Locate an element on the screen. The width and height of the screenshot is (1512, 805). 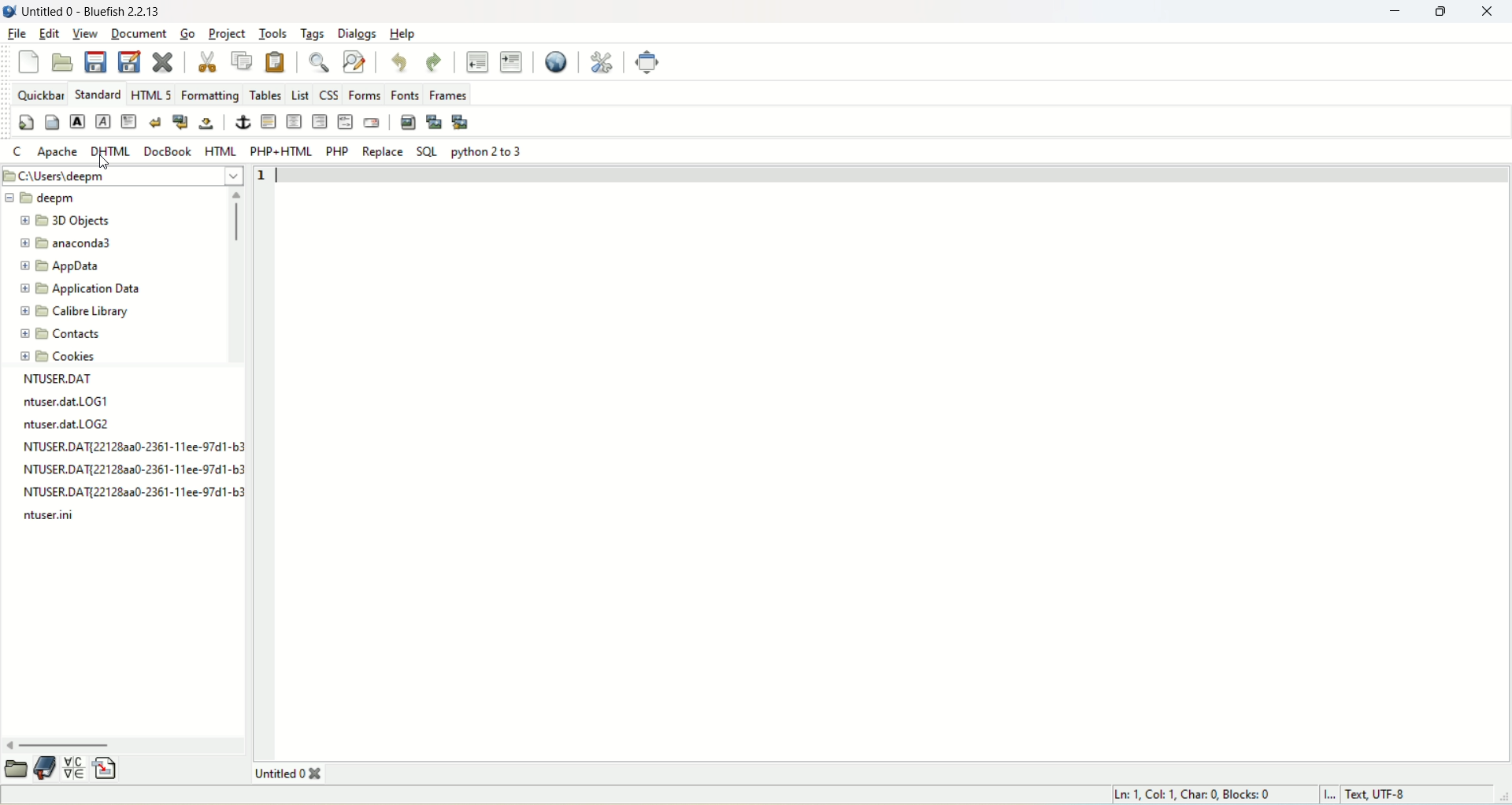
minimize is located at coordinates (1399, 11).